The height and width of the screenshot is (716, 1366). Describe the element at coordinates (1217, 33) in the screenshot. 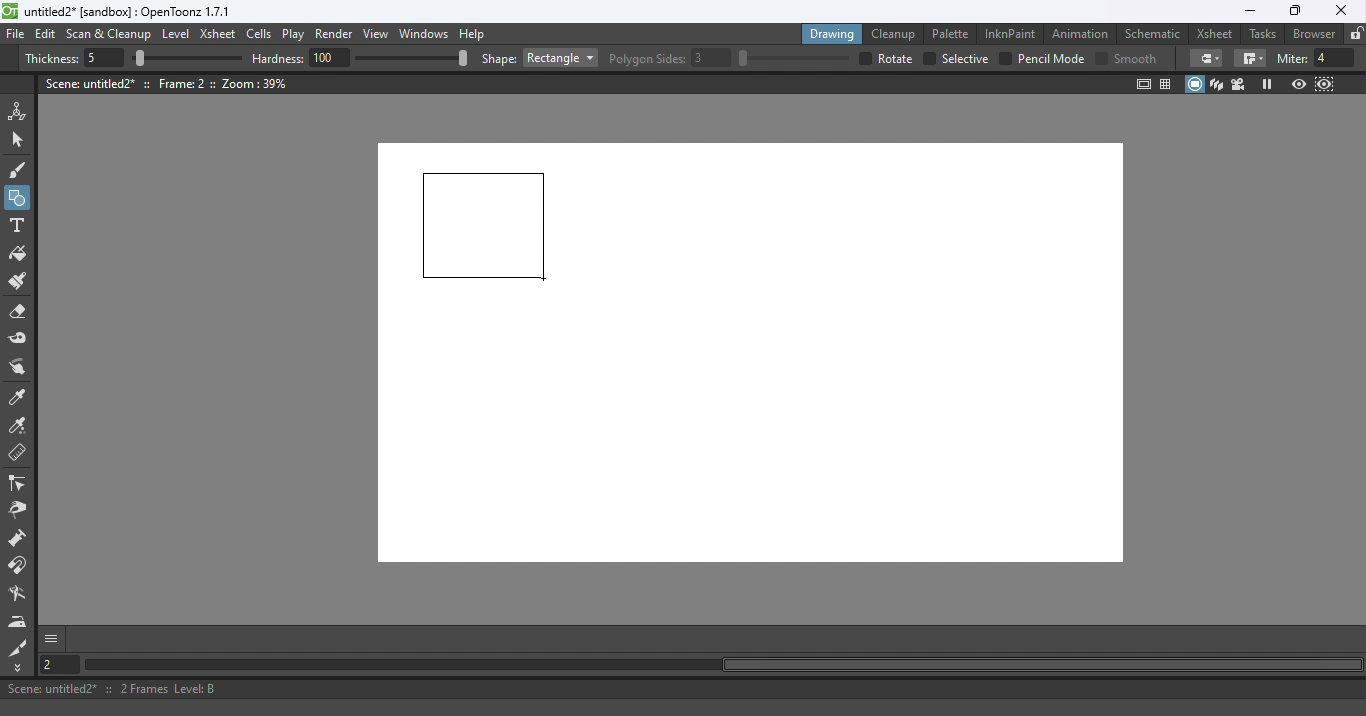

I see `Xsheet` at that location.